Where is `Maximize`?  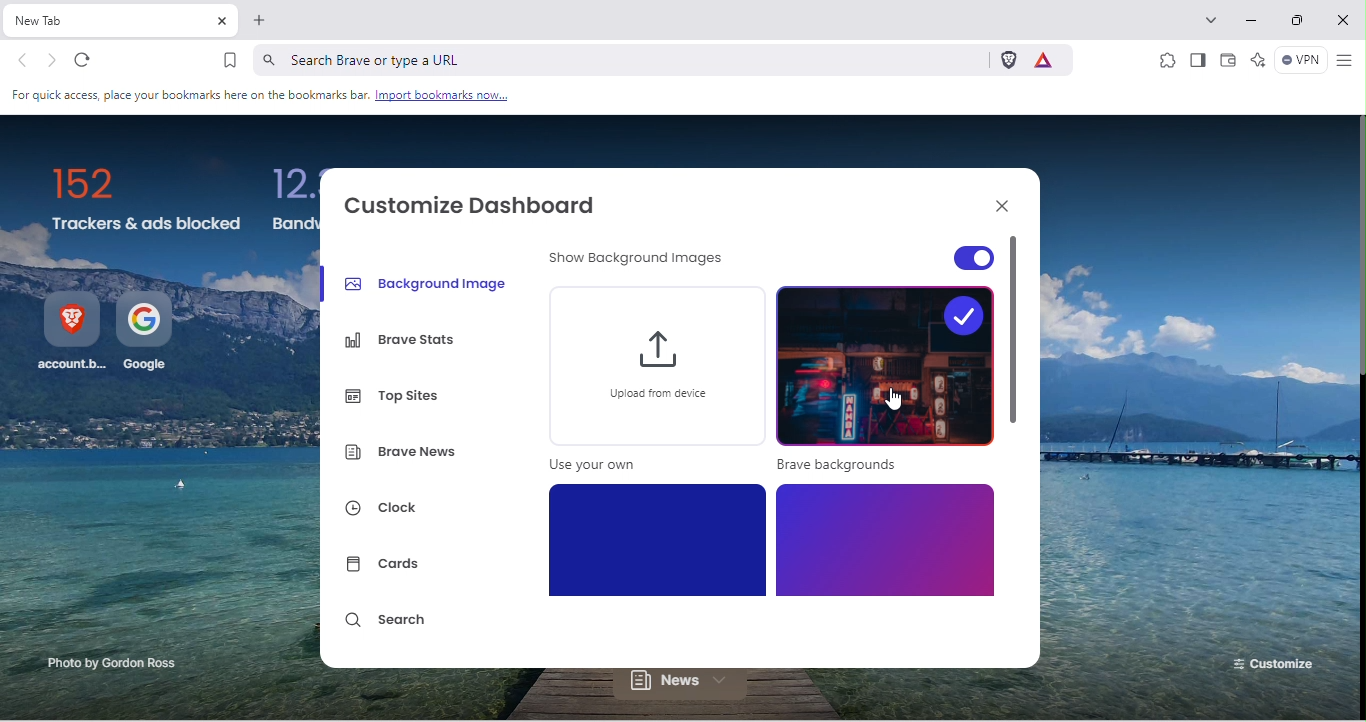
Maximize is located at coordinates (1302, 23).